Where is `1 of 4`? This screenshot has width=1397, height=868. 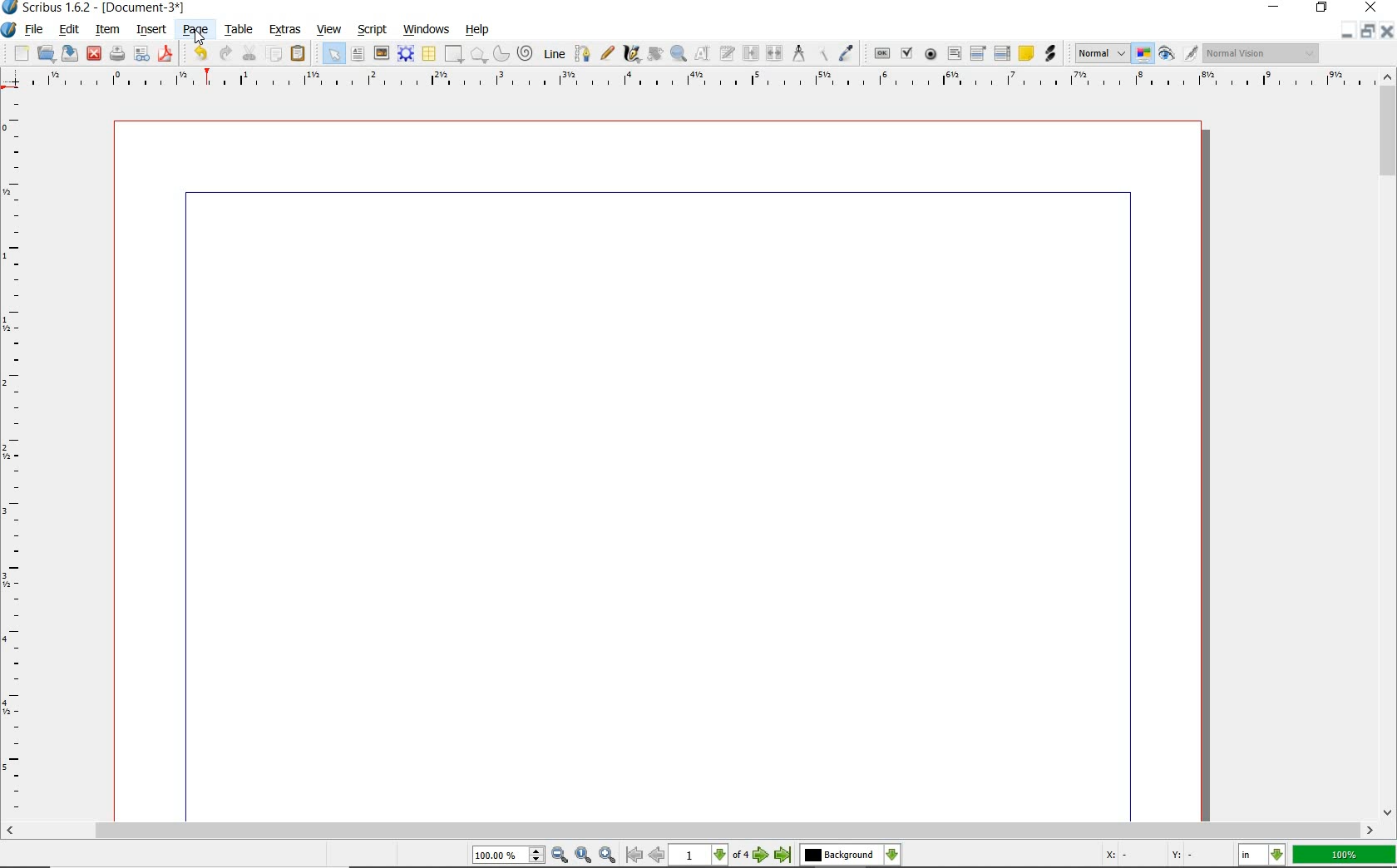 1 of 4 is located at coordinates (711, 856).